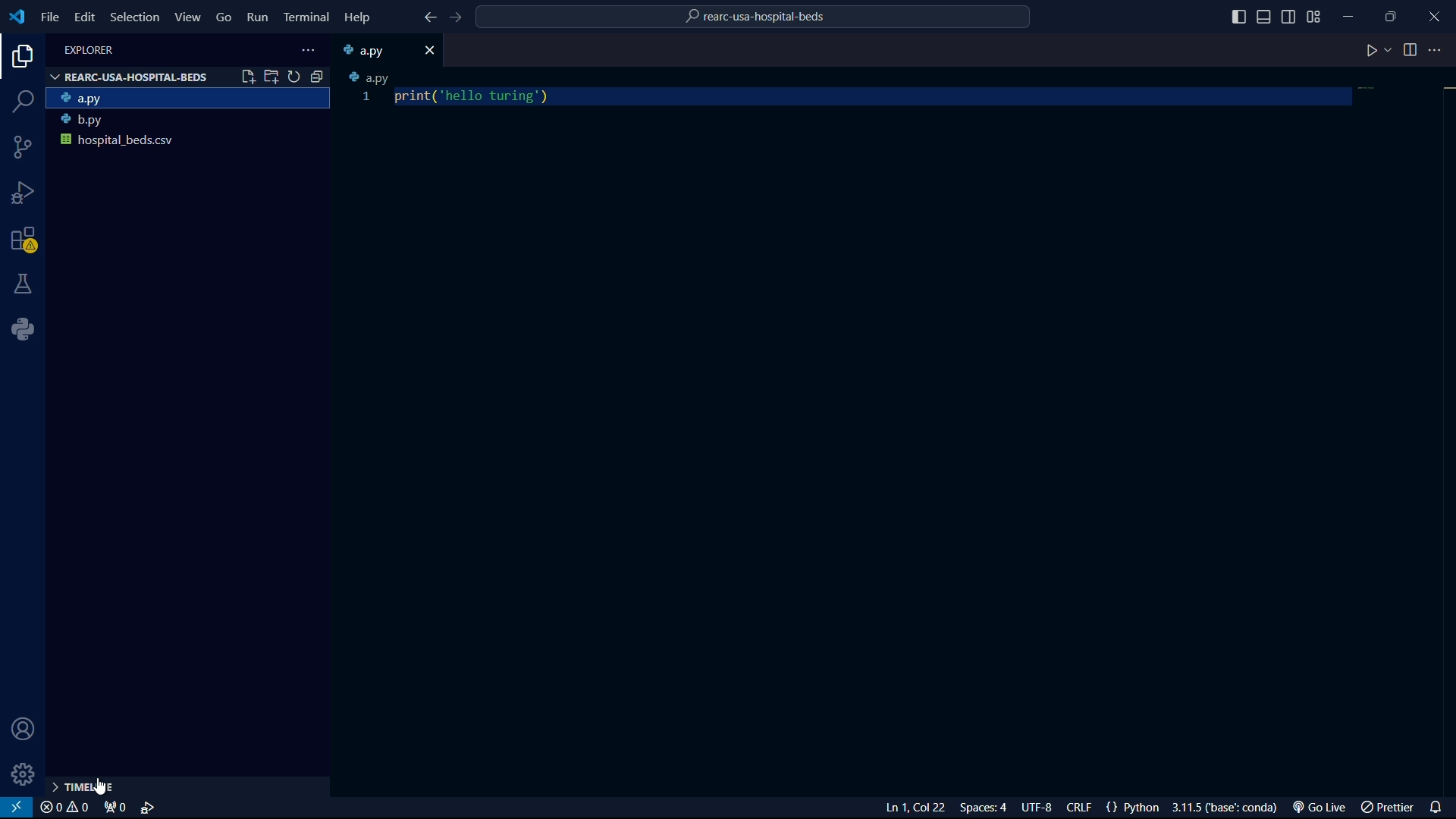 Image resolution: width=1456 pixels, height=819 pixels. What do you see at coordinates (24, 731) in the screenshot?
I see `account` at bounding box center [24, 731].